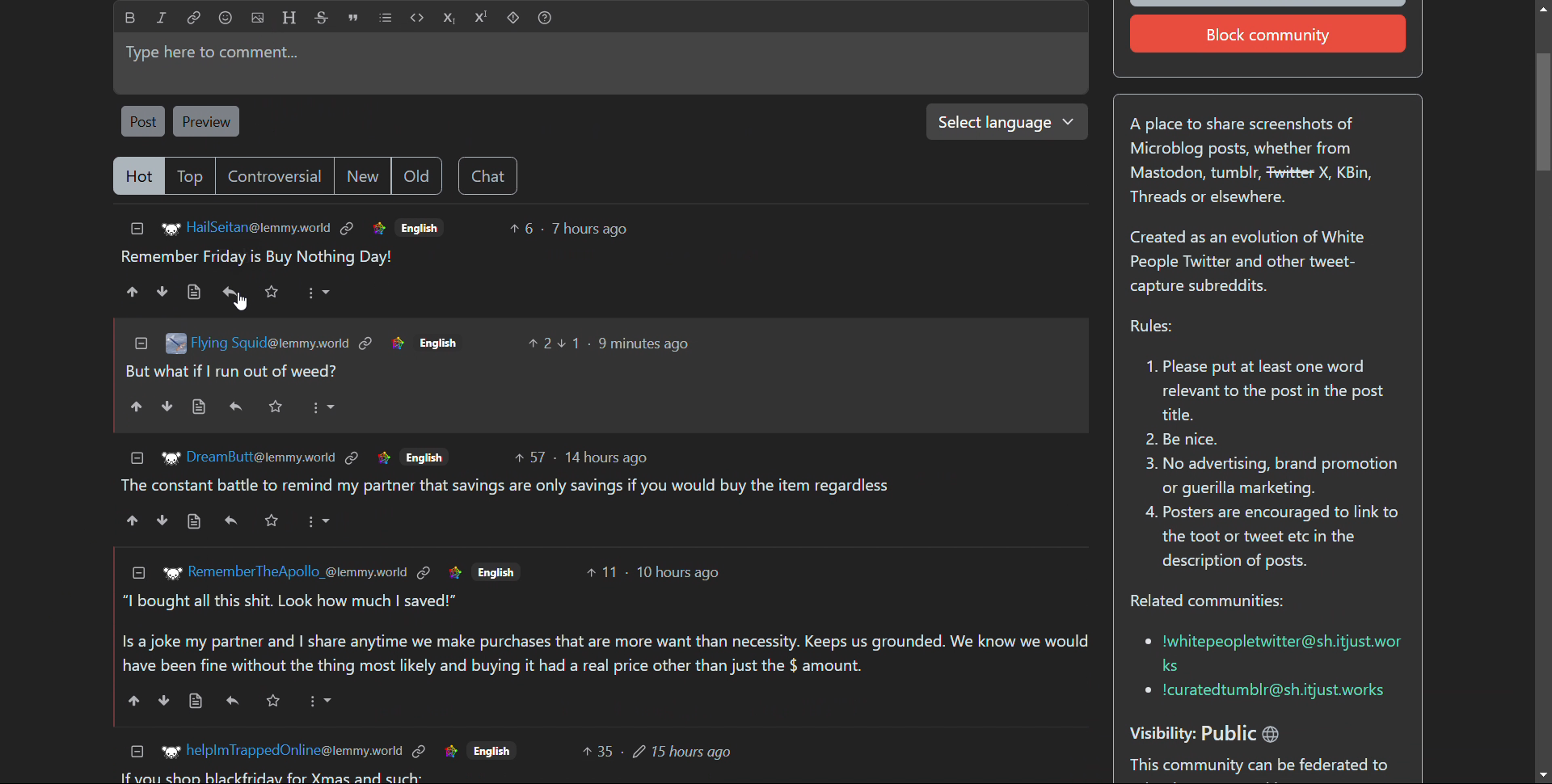  What do you see at coordinates (323, 17) in the screenshot?
I see `strikethrough` at bounding box center [323, 17].